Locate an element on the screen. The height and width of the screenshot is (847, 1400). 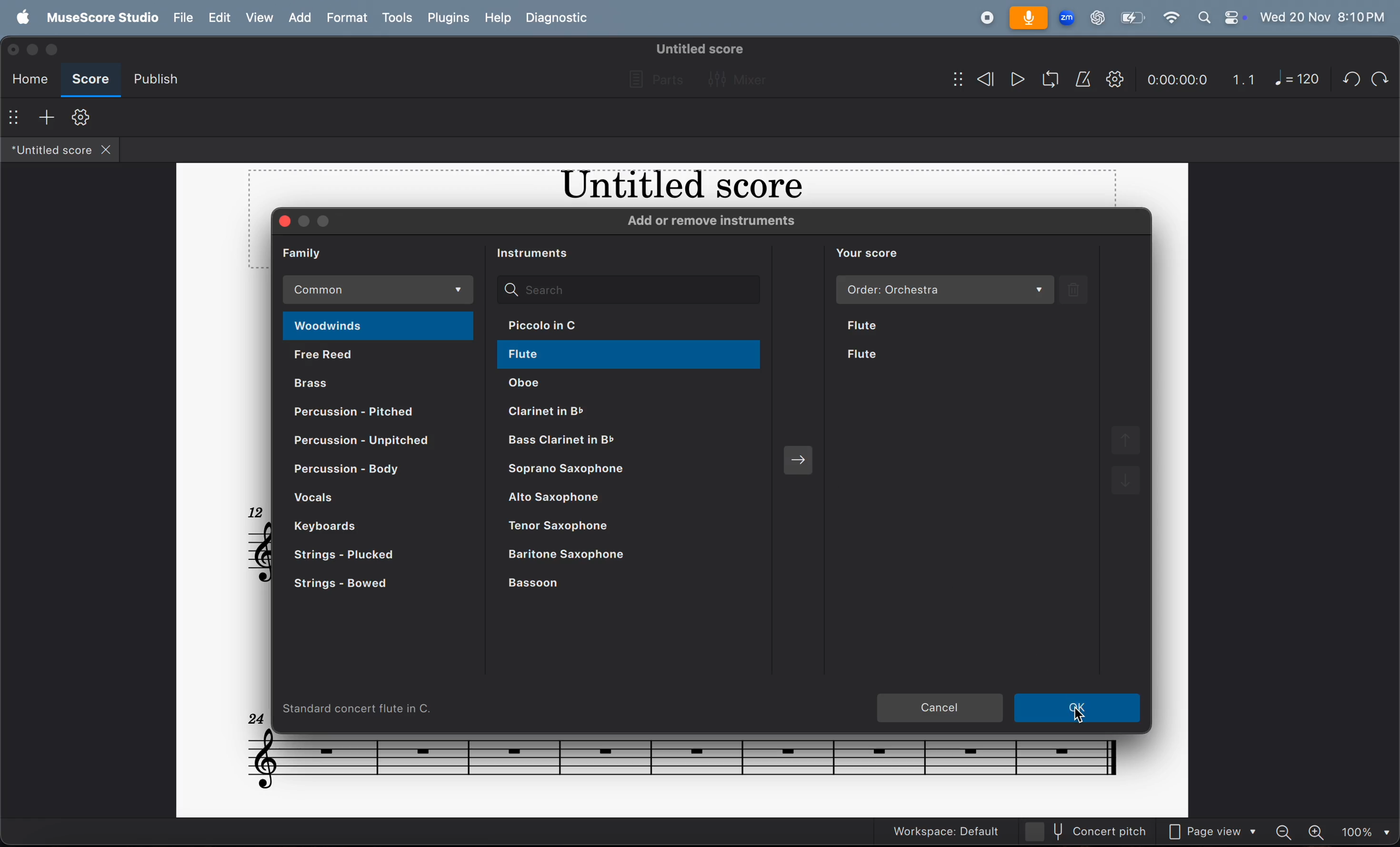
clarient in b is located at coordinates (644, 413).